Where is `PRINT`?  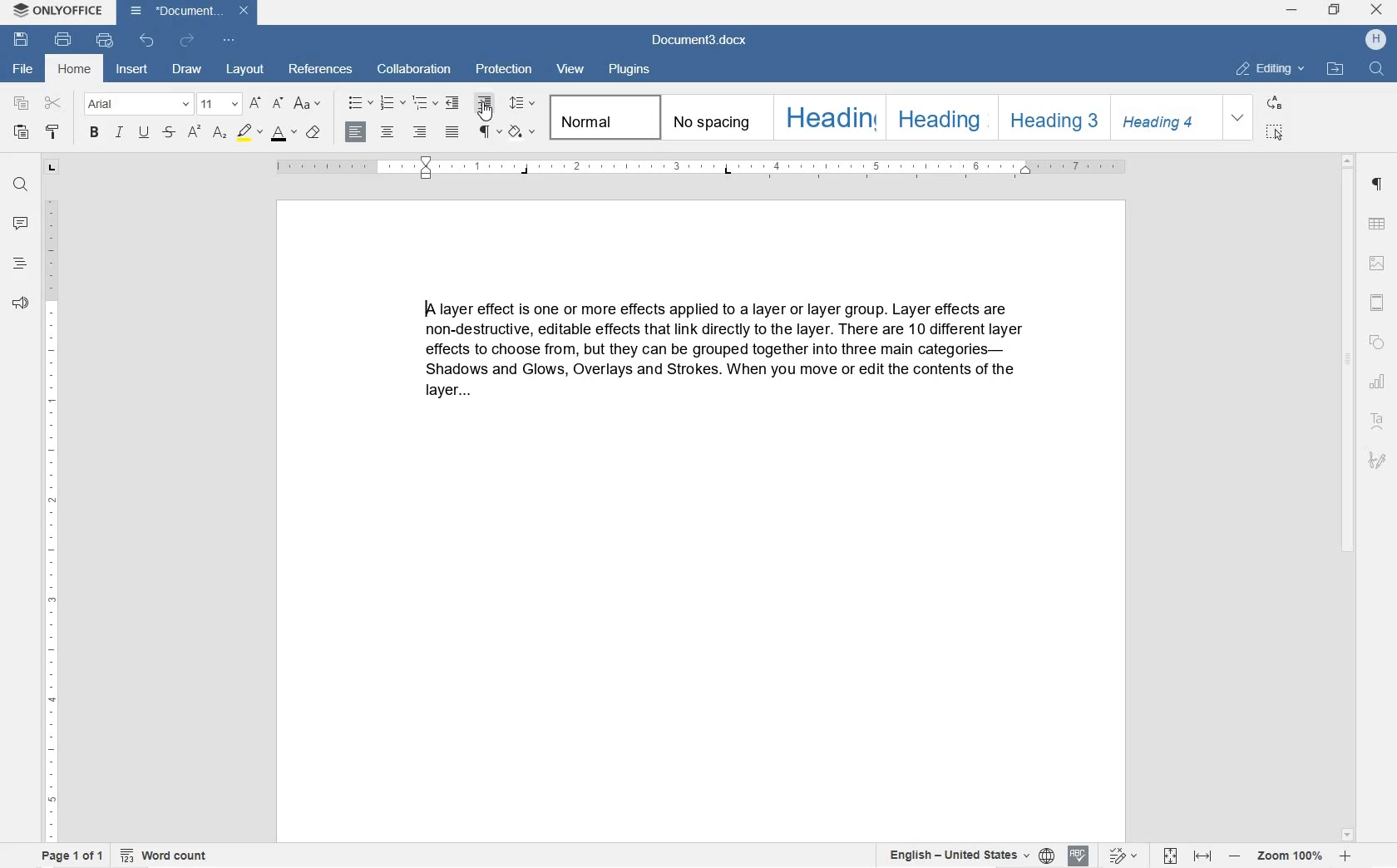 PRINT is located at coordinates (62, 39).